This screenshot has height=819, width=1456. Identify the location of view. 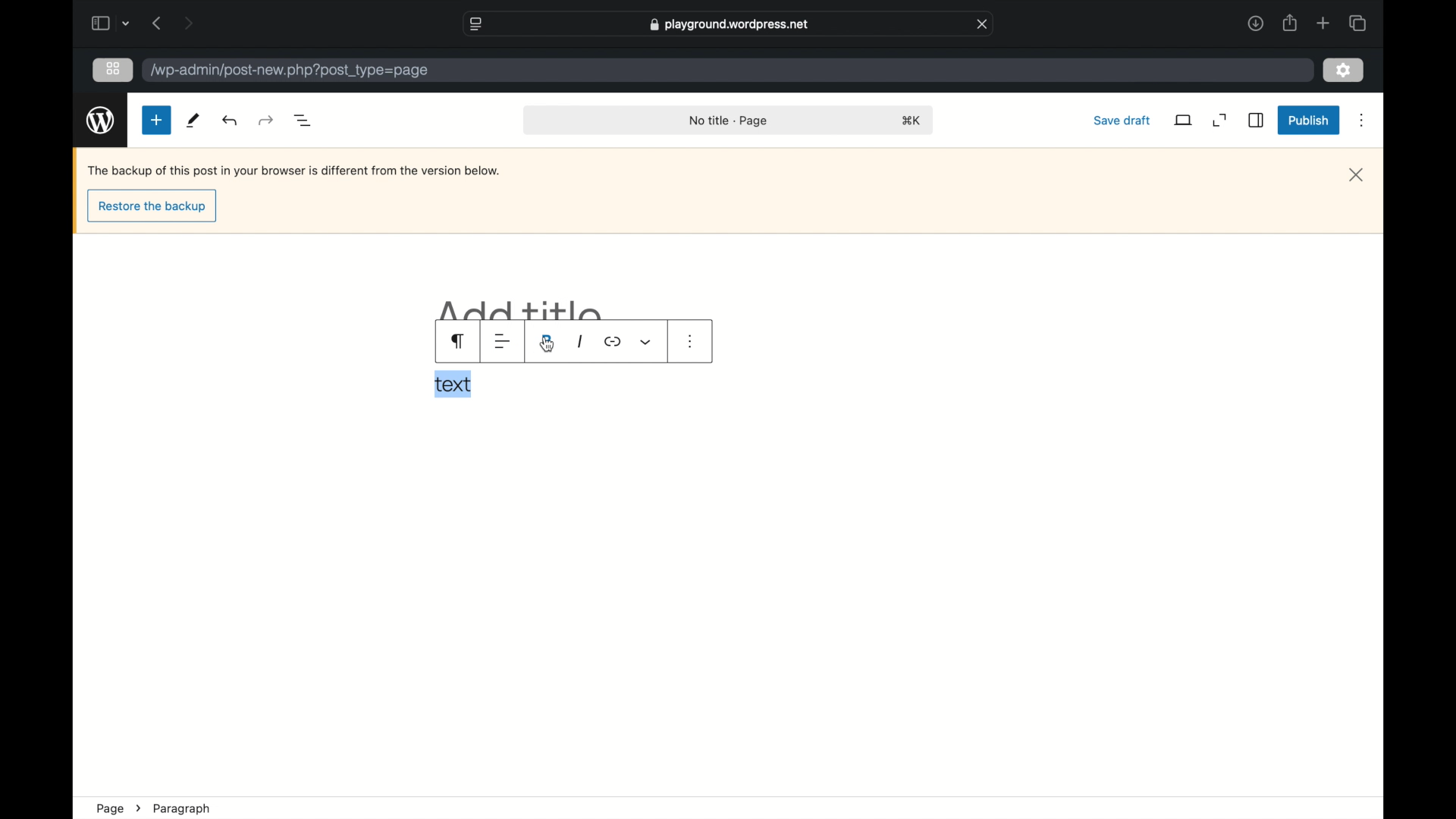
(1184, 120).